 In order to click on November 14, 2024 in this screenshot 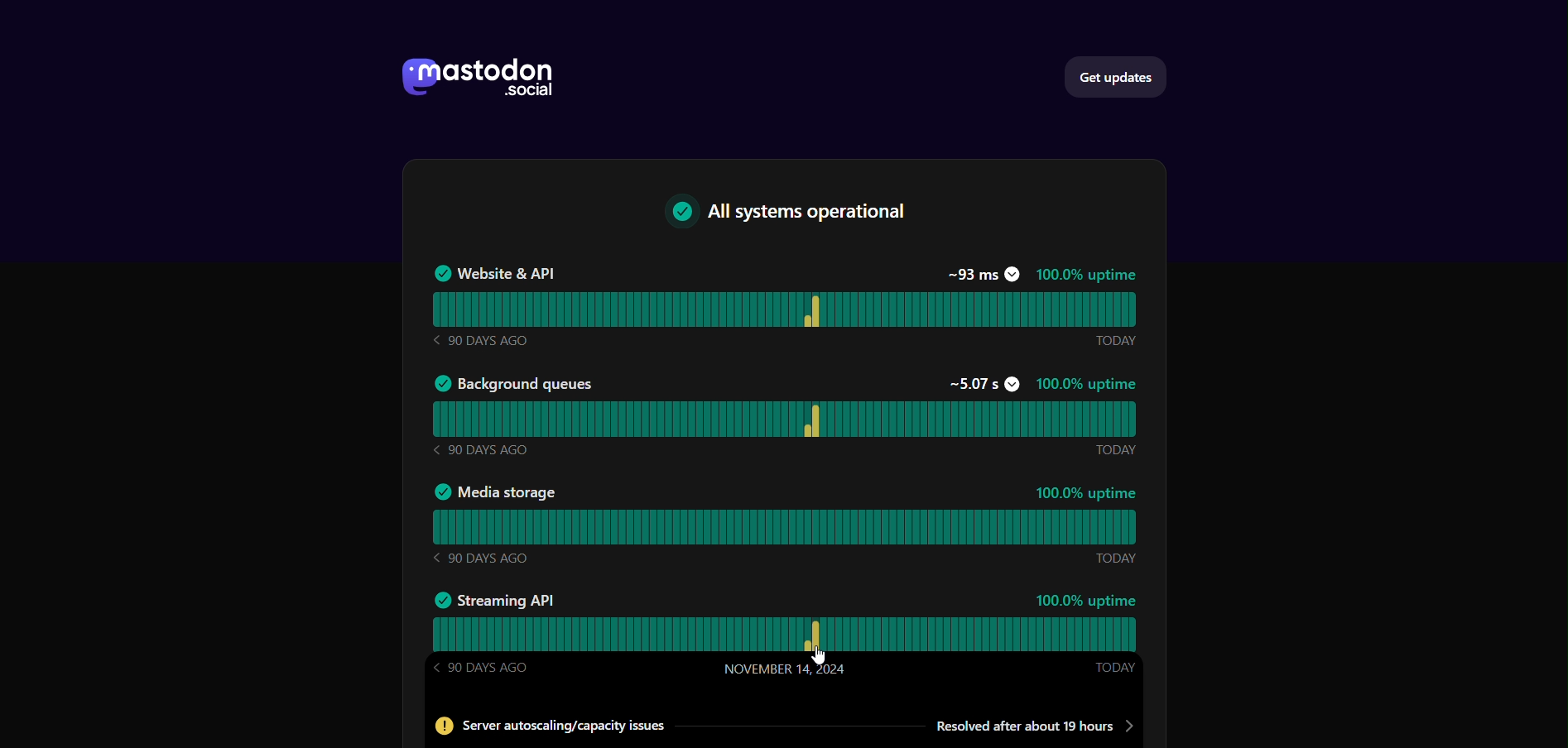, I will do `click(785, 669)`.